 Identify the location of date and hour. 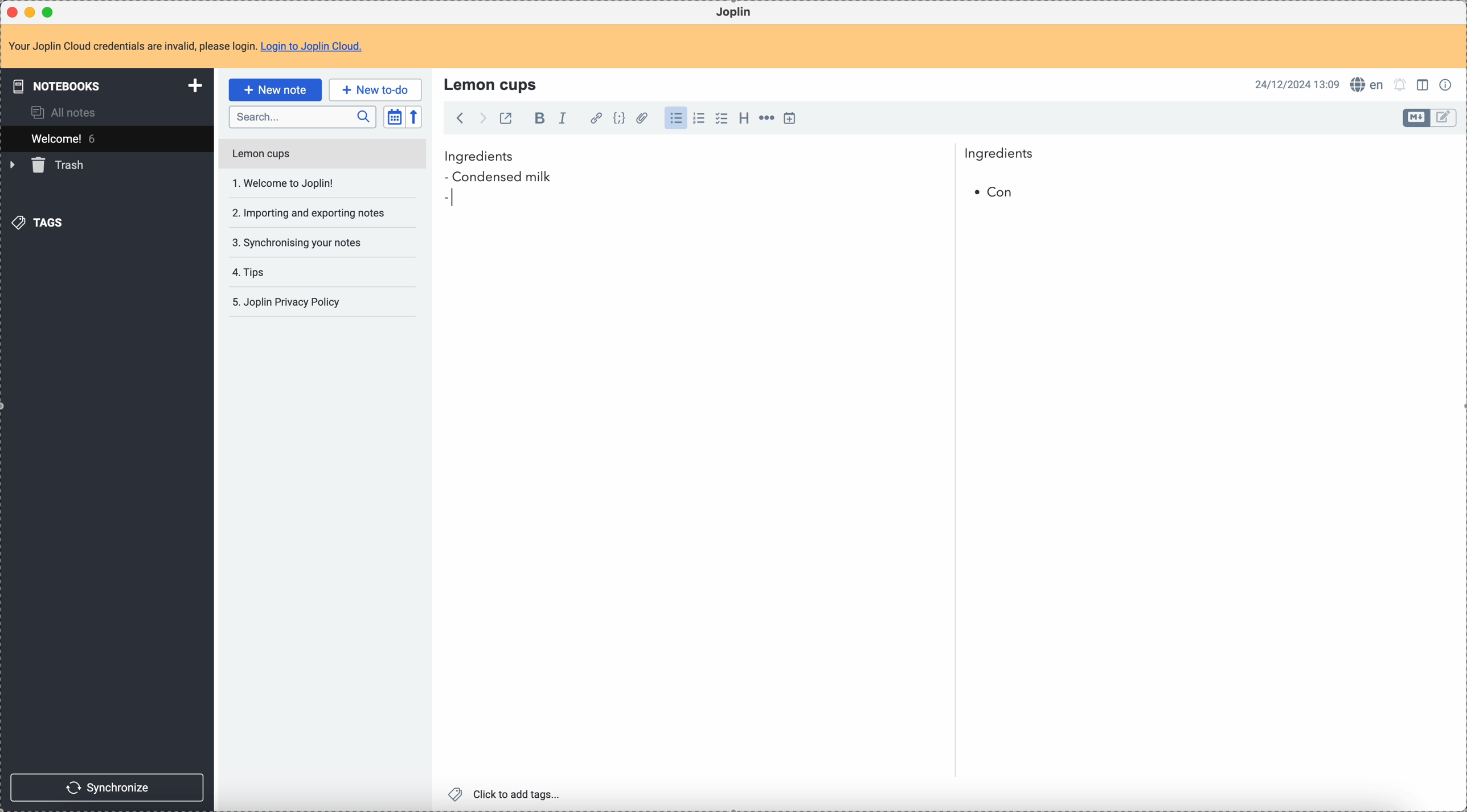
(1297, 84).